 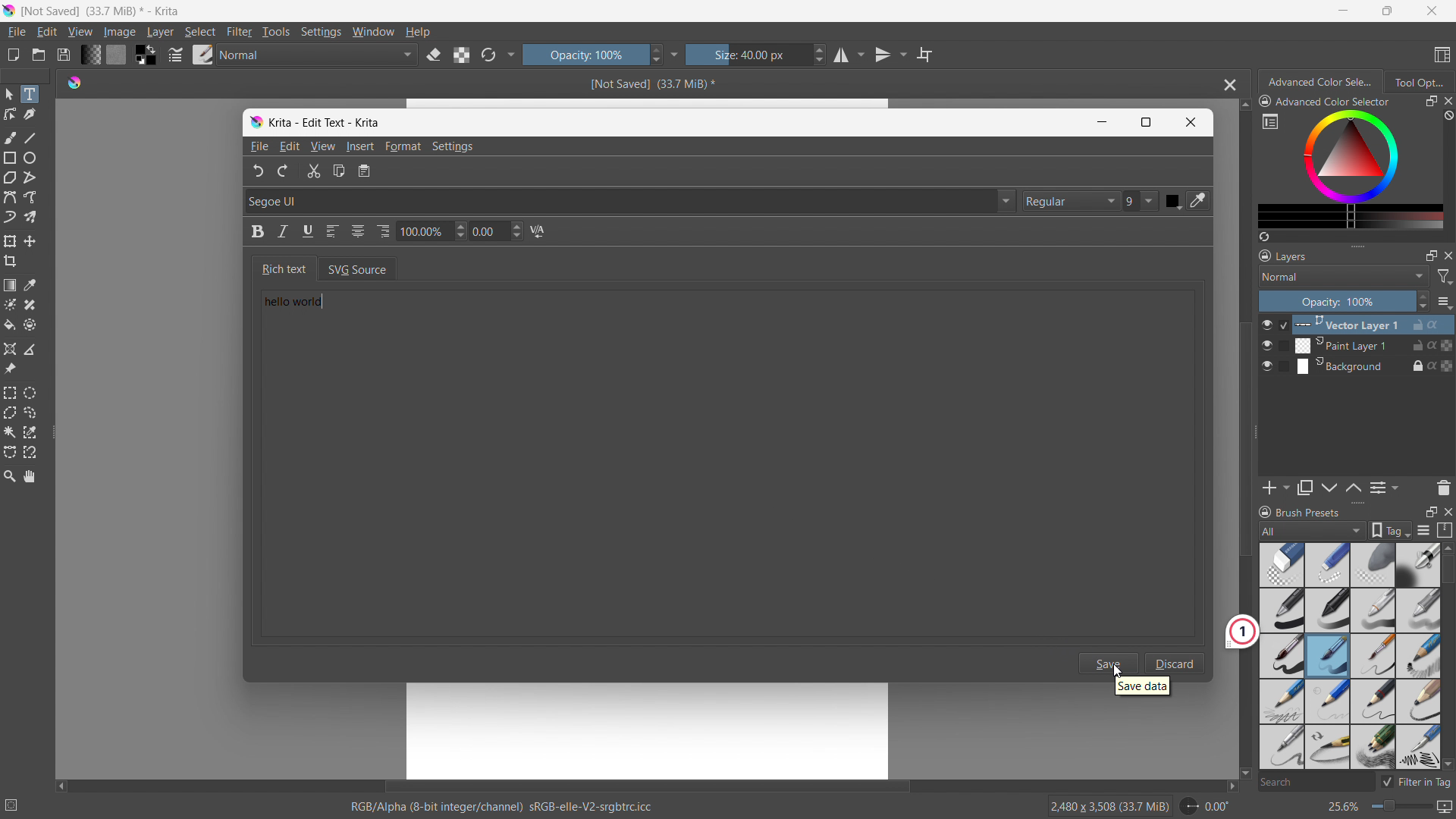 I want to click on zoom level, so click(x=1389, y=808).